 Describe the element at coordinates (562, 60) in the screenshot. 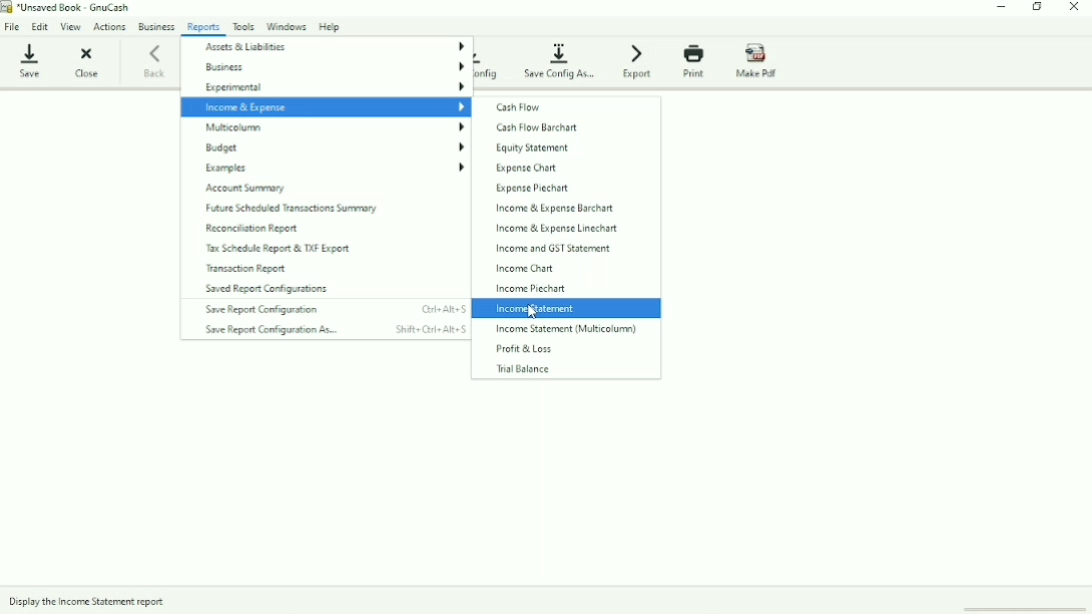

I see `Save Config As` at that location.